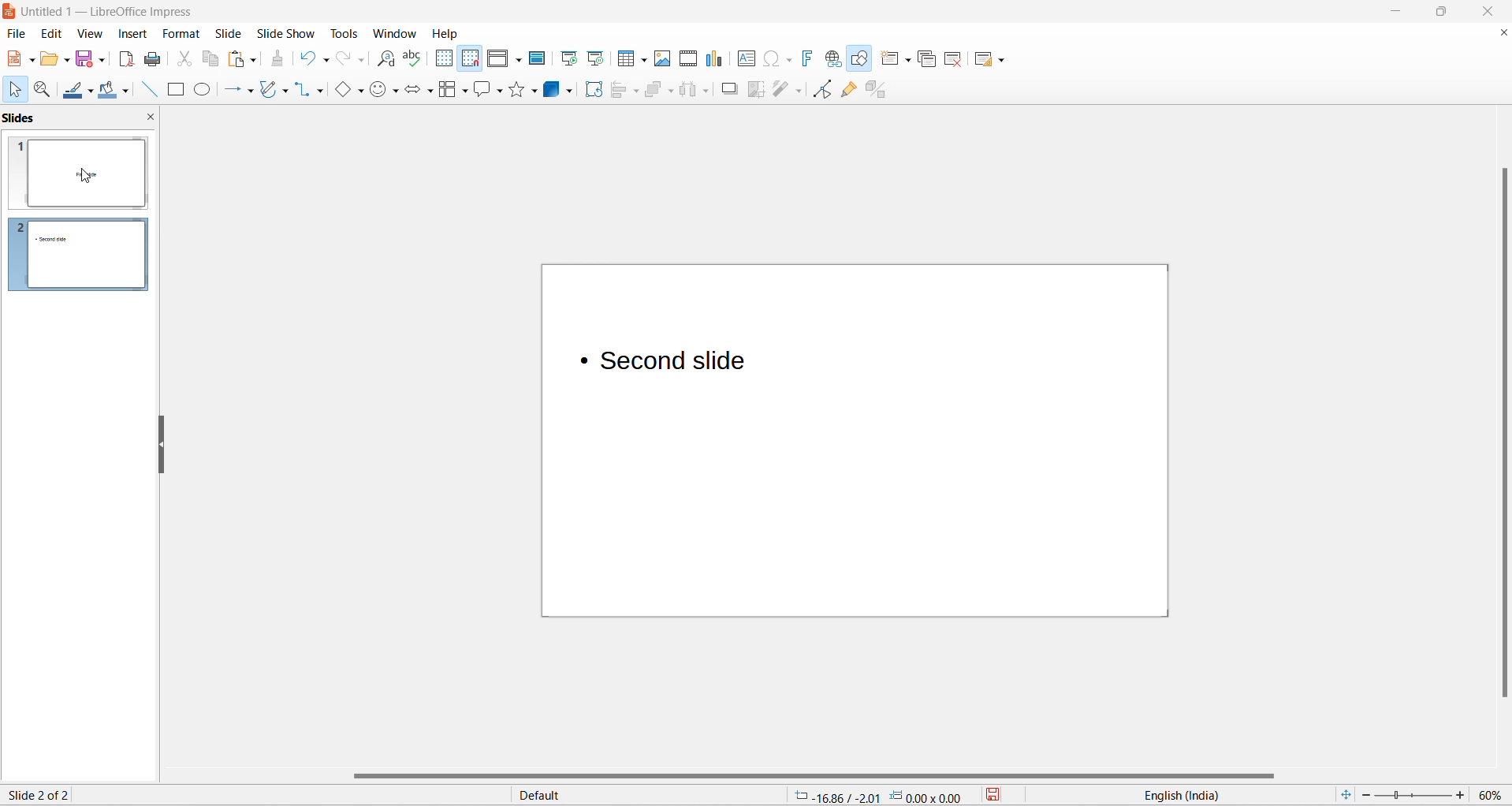 The width and height of the screenshot is (1512, 806). What do you see at coordinates (995, 794) in the screenshot?
I see `save` at bounding box center [995, 794].